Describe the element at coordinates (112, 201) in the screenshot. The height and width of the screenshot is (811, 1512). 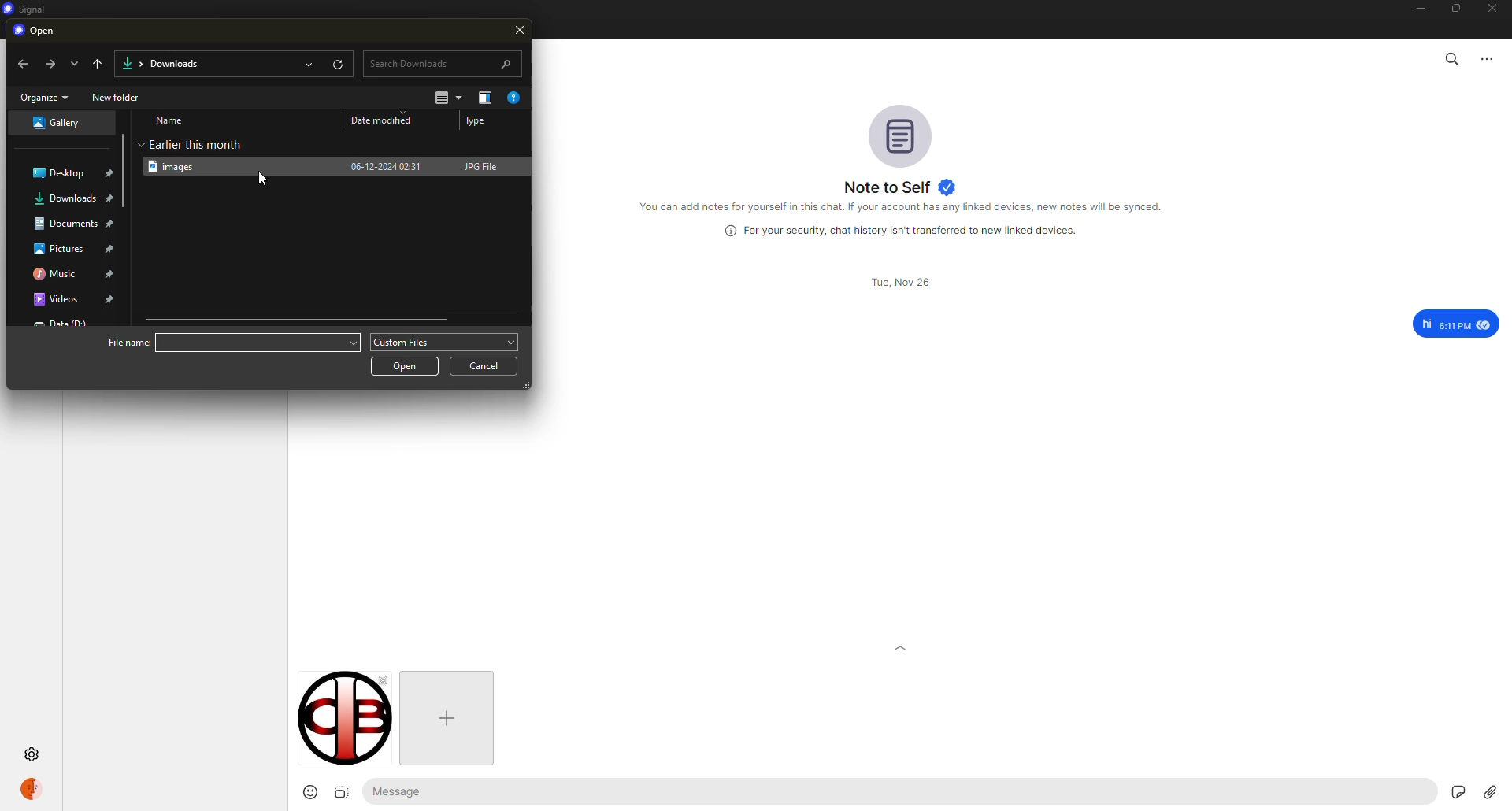
I see `pin` at that location.